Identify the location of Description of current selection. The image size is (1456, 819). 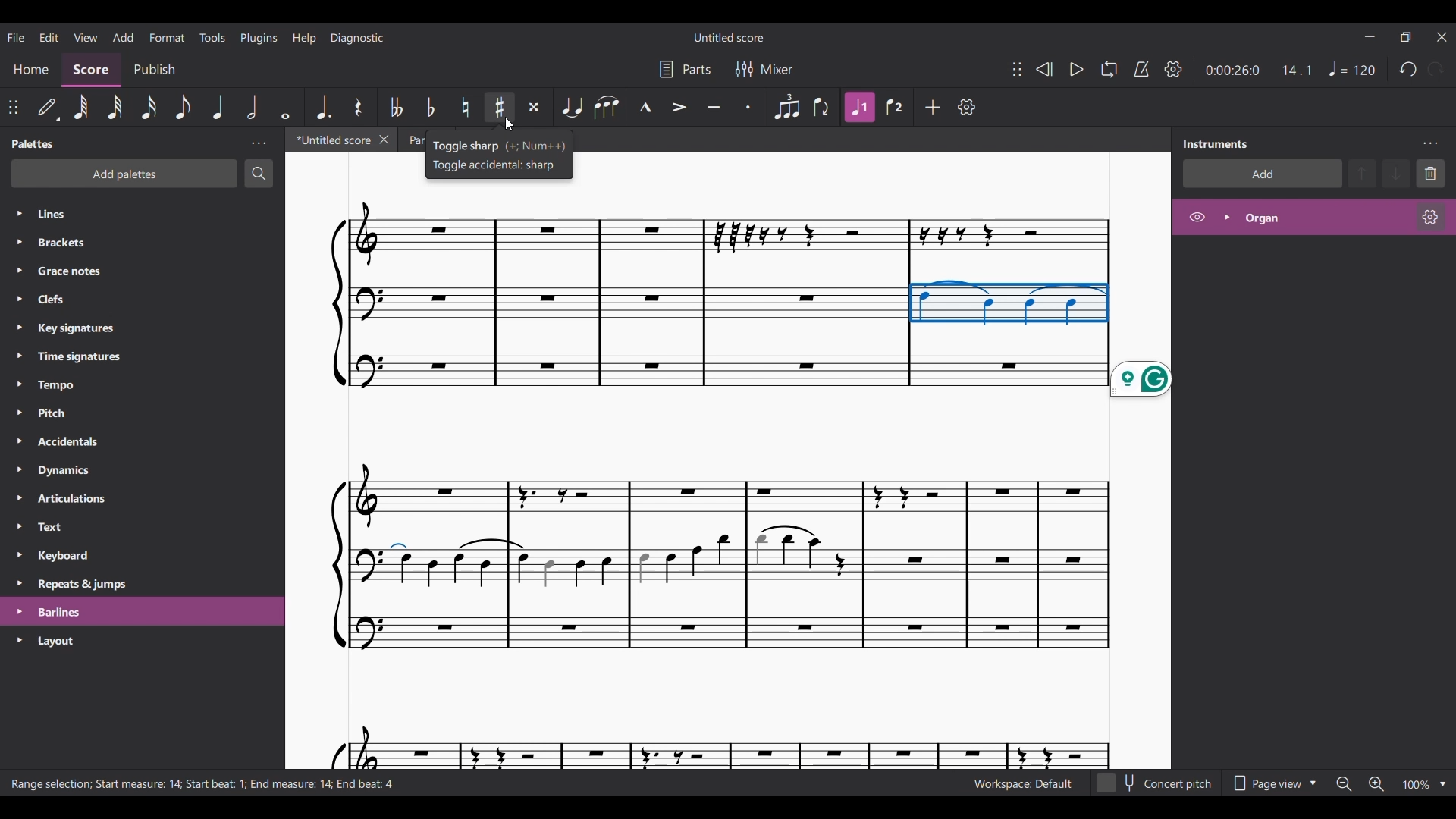
(204, 783).